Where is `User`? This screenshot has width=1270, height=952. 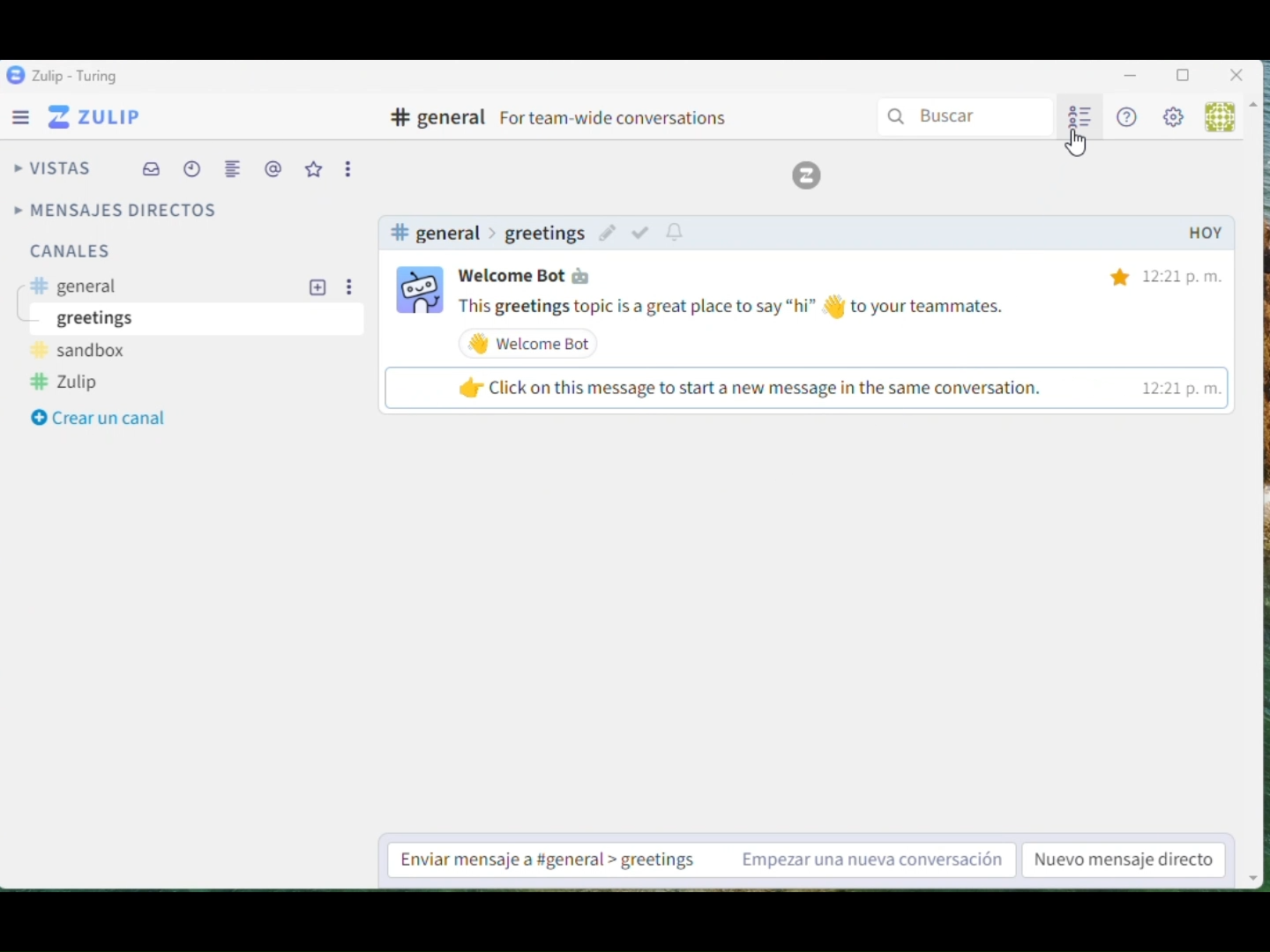
User is located at coordinates (1222, 117).